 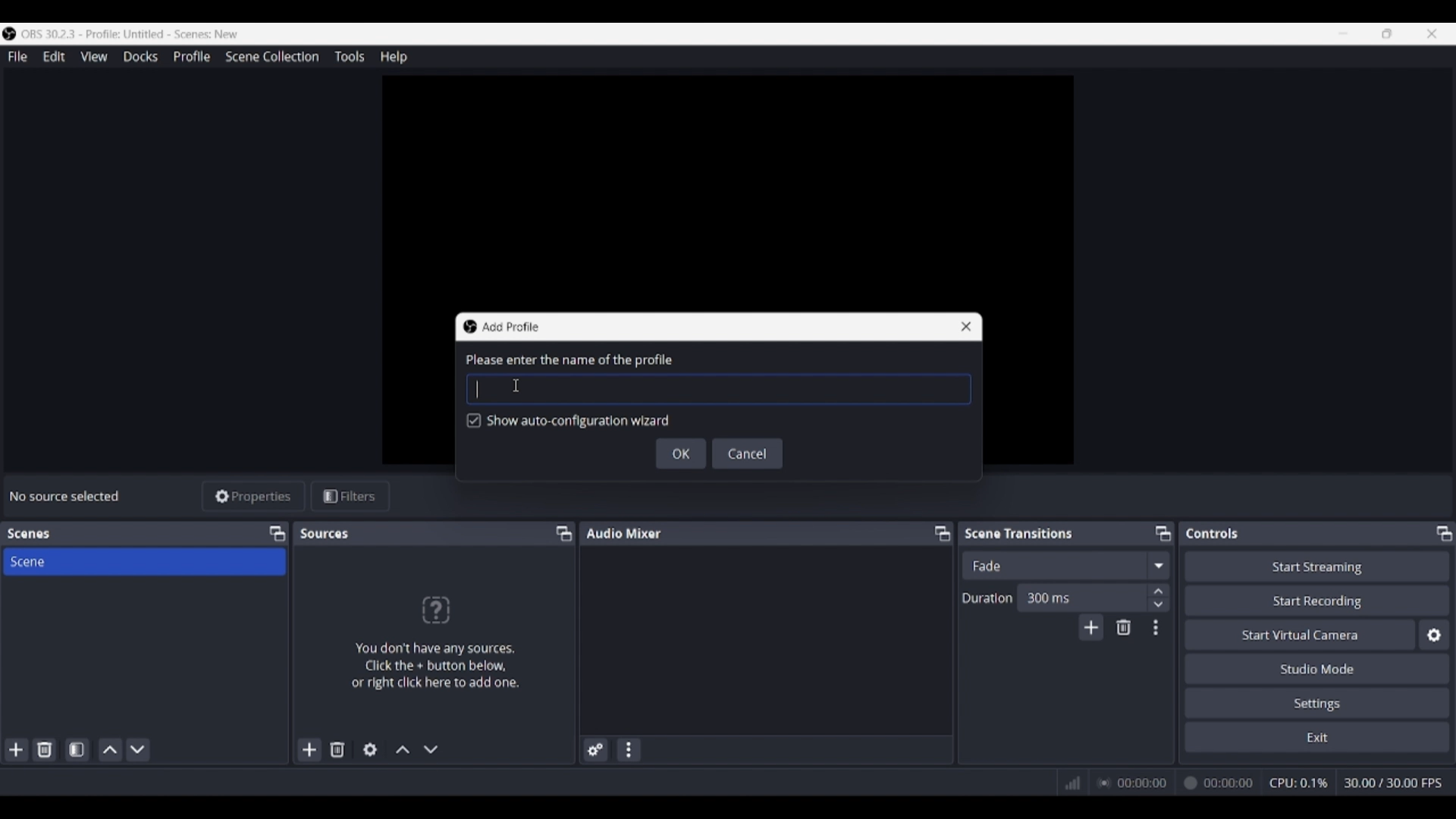 I want to click on Add scene, so click(x=17, y=750).